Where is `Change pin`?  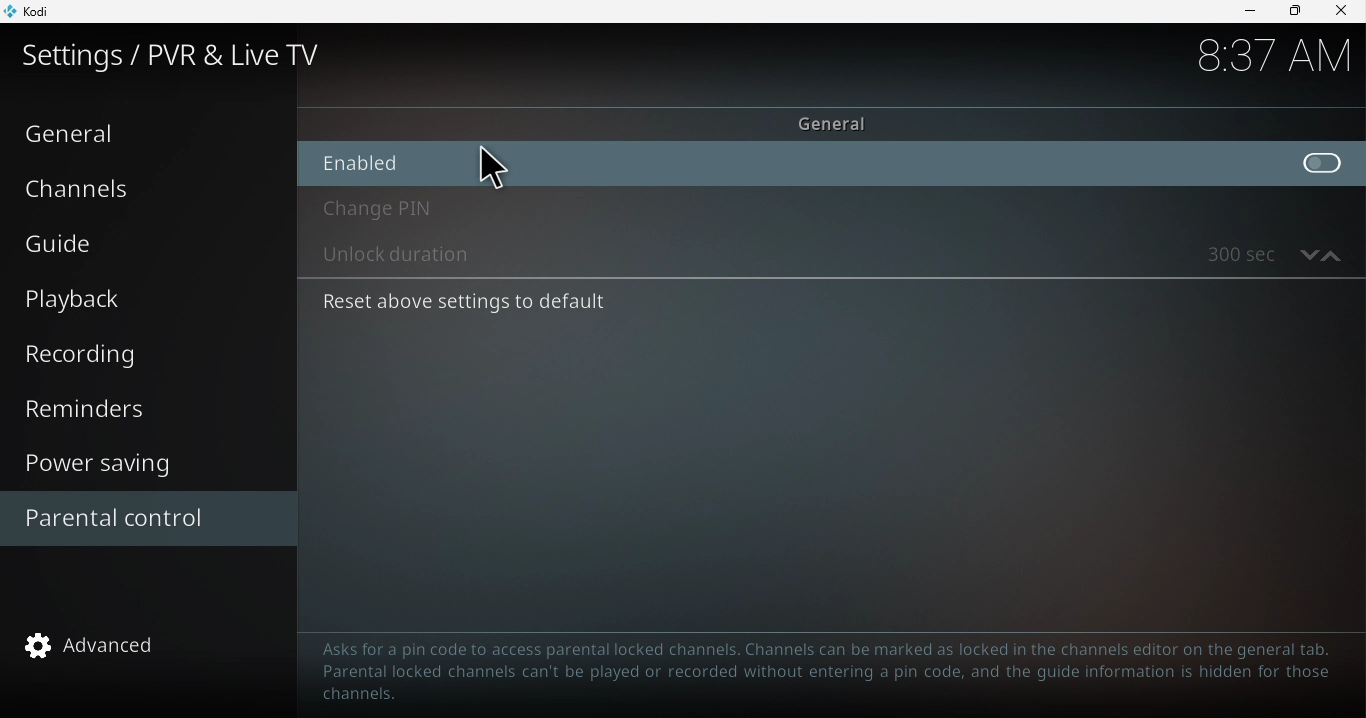 Change pin is located at coordinates (828, 211).